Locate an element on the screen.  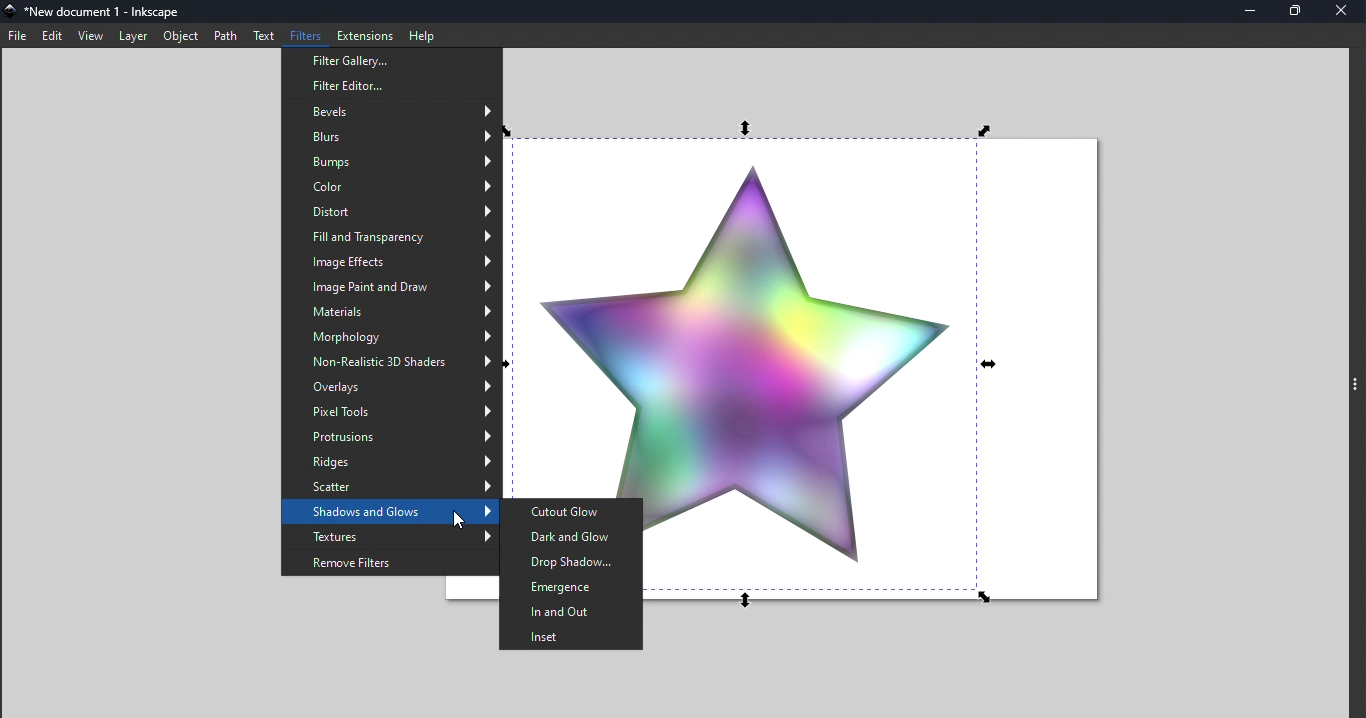
view is located at coordinates (89, 35).